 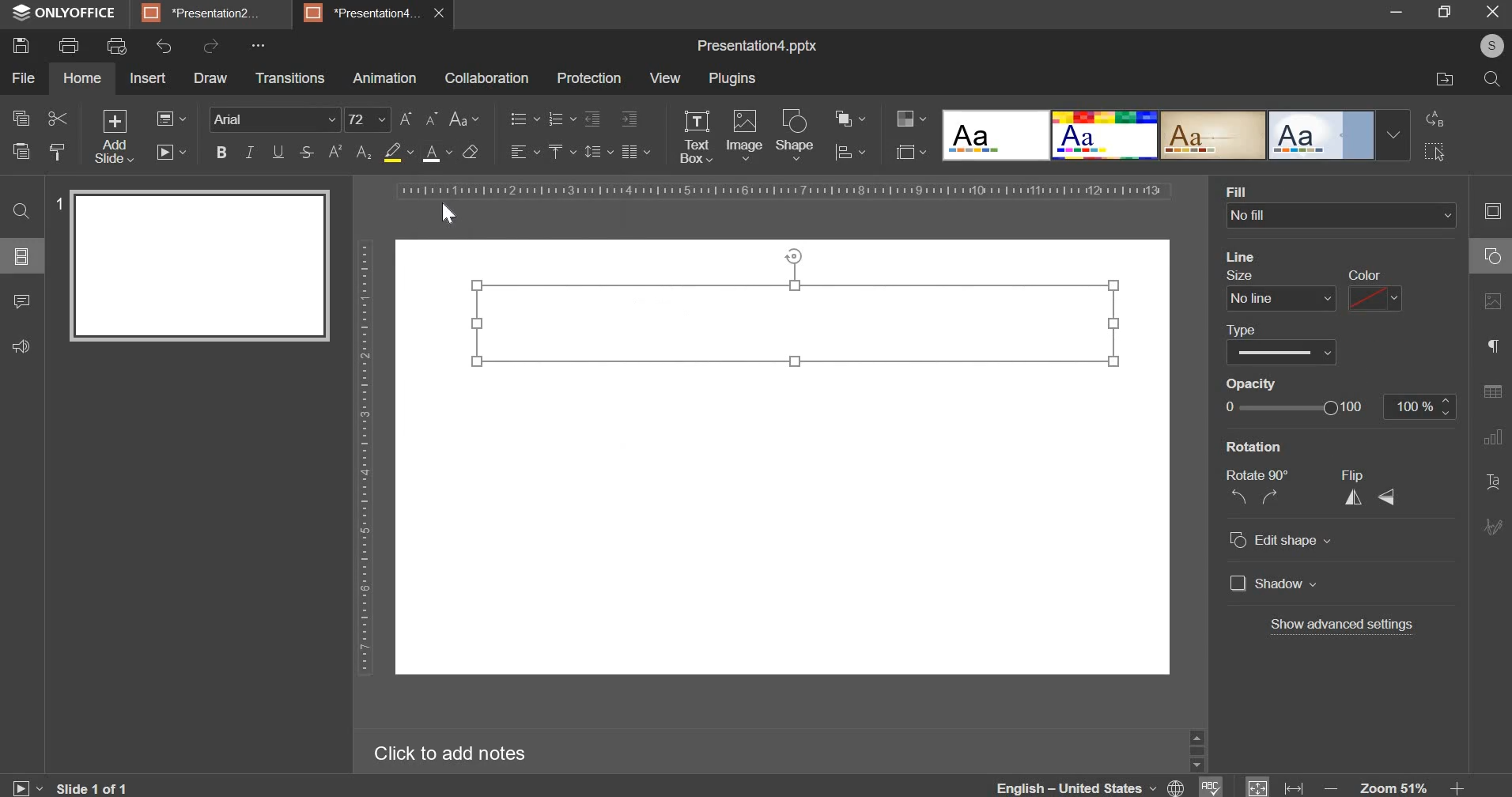 I want to click on copy styles, so click(x=58, y=152).